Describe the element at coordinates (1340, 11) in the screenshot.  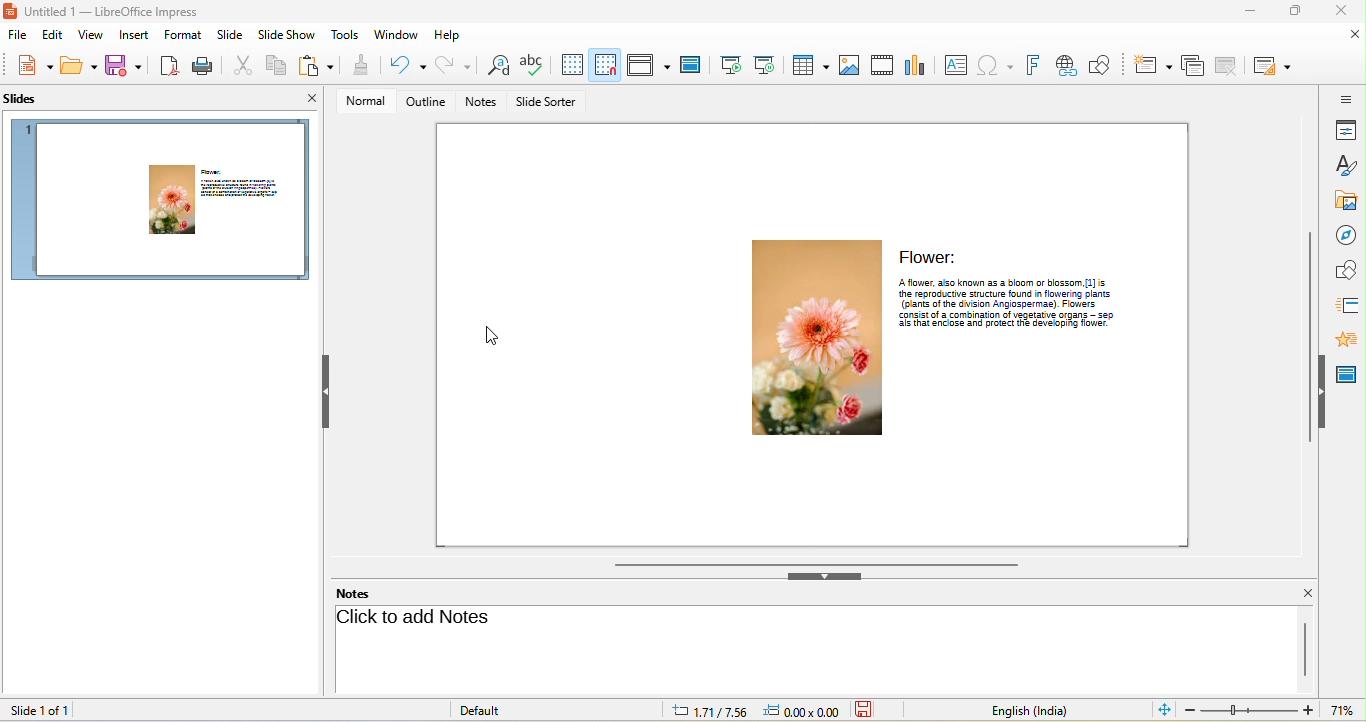
I see `close` at that location.